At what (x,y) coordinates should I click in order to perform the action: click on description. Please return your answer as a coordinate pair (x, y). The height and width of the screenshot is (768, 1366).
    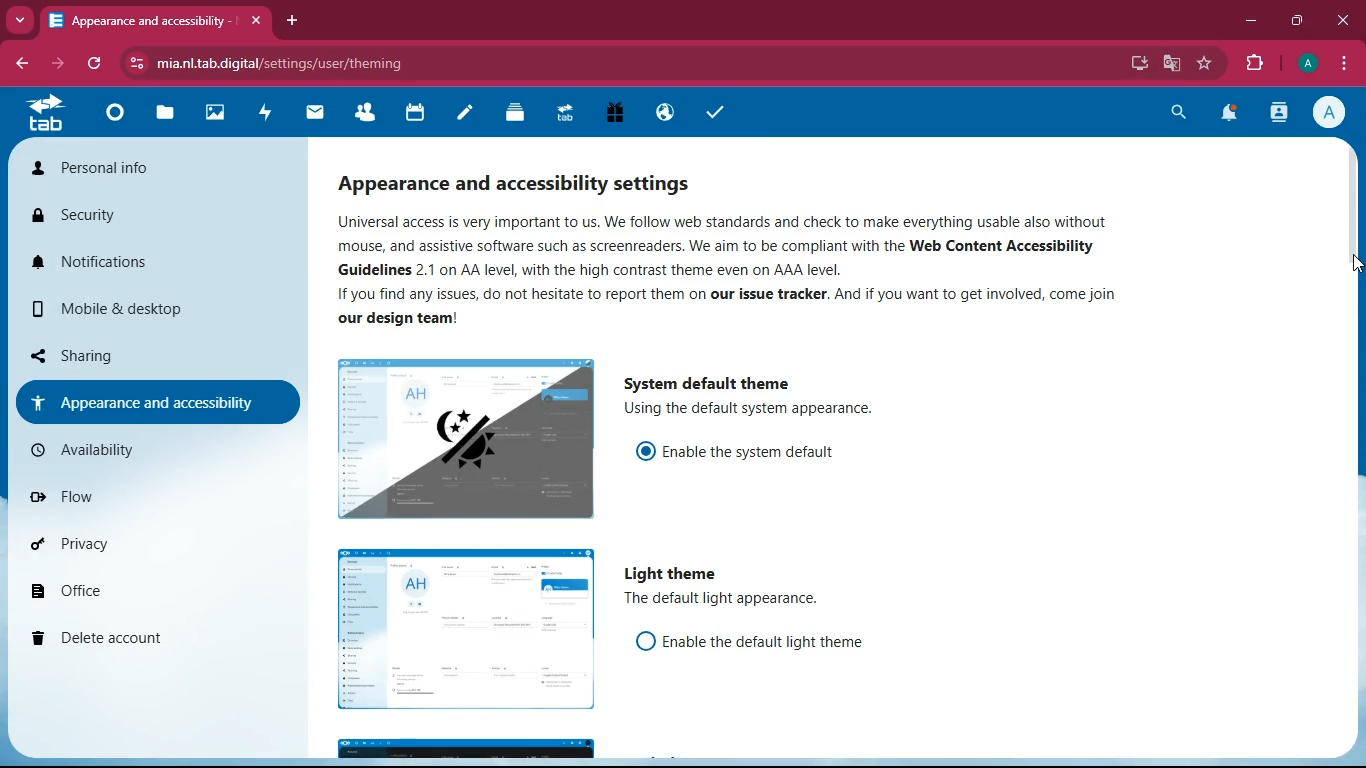
    Looking at the image, I should click on (755, 409).